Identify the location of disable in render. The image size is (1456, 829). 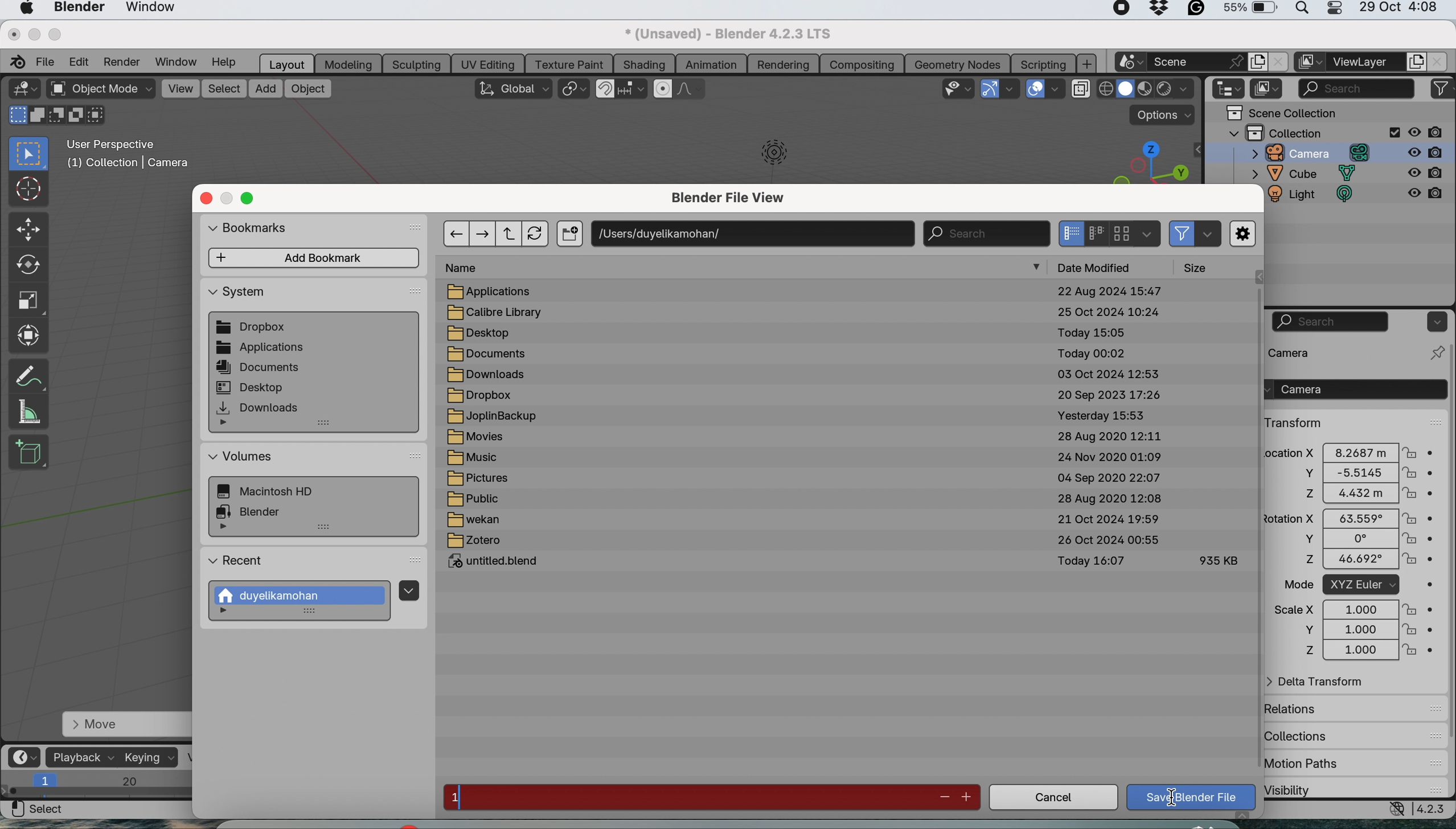
(1428, 151).